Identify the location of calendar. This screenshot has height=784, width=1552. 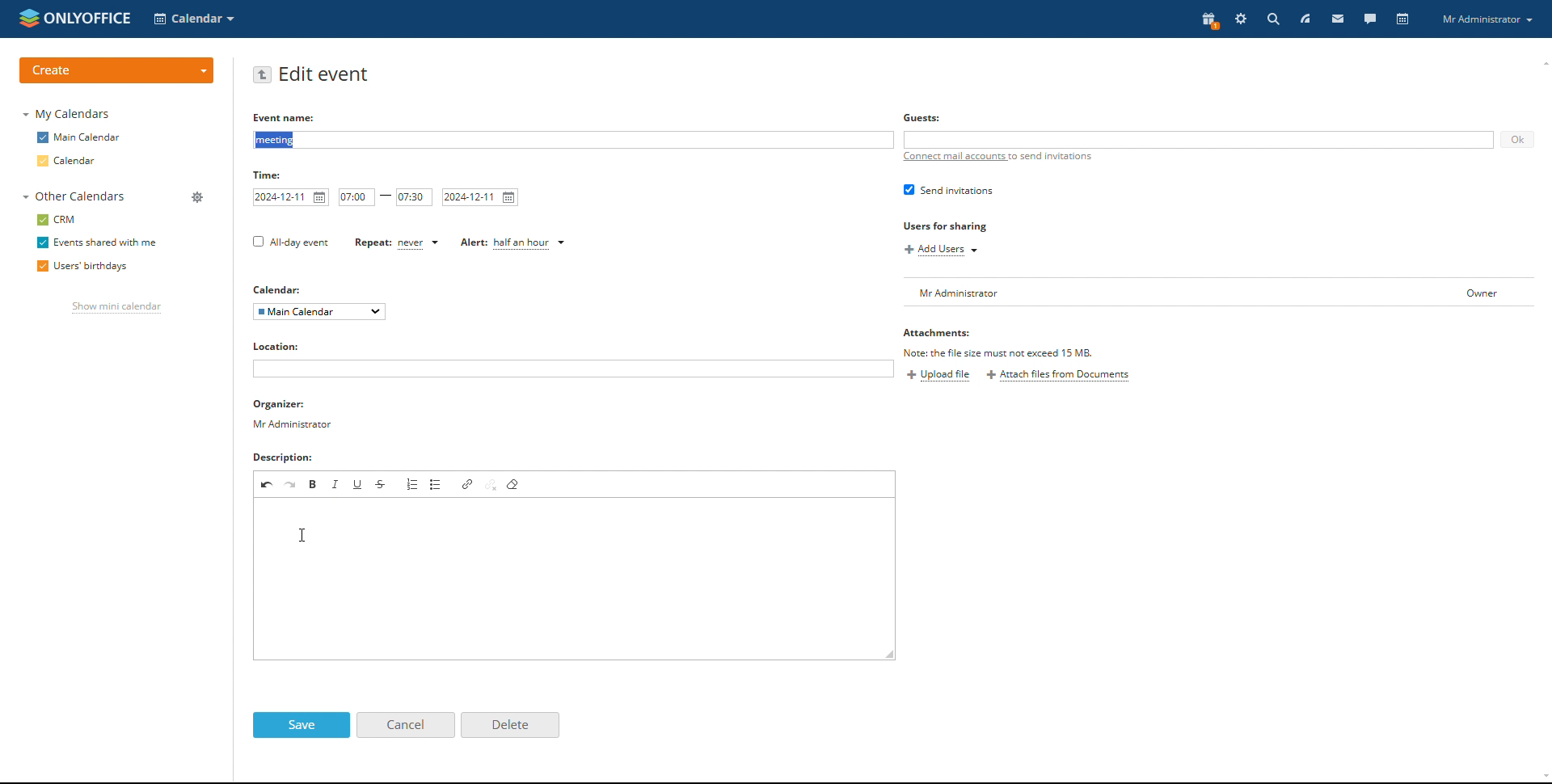
(1404, 19).